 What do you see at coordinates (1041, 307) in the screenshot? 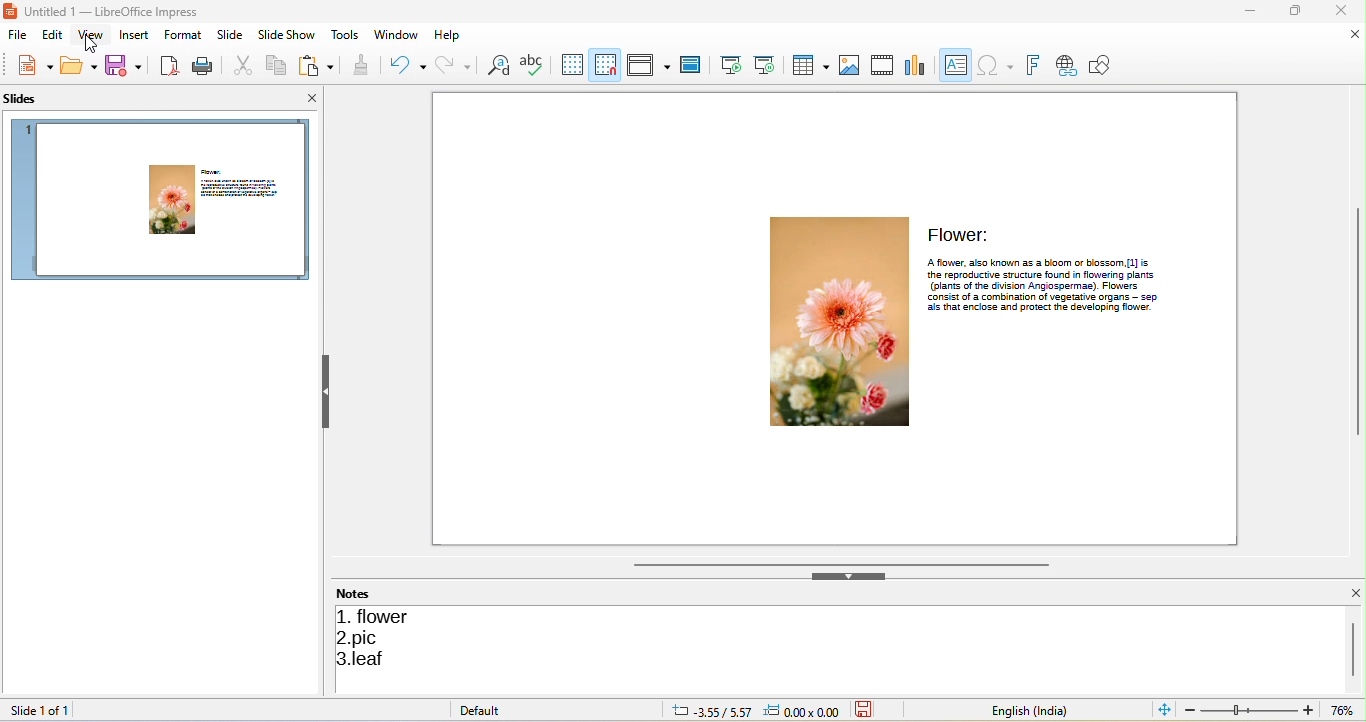
I see `poe ‘als that enclose and protect the geveloping flower.` at bounding box center [1041, 307].